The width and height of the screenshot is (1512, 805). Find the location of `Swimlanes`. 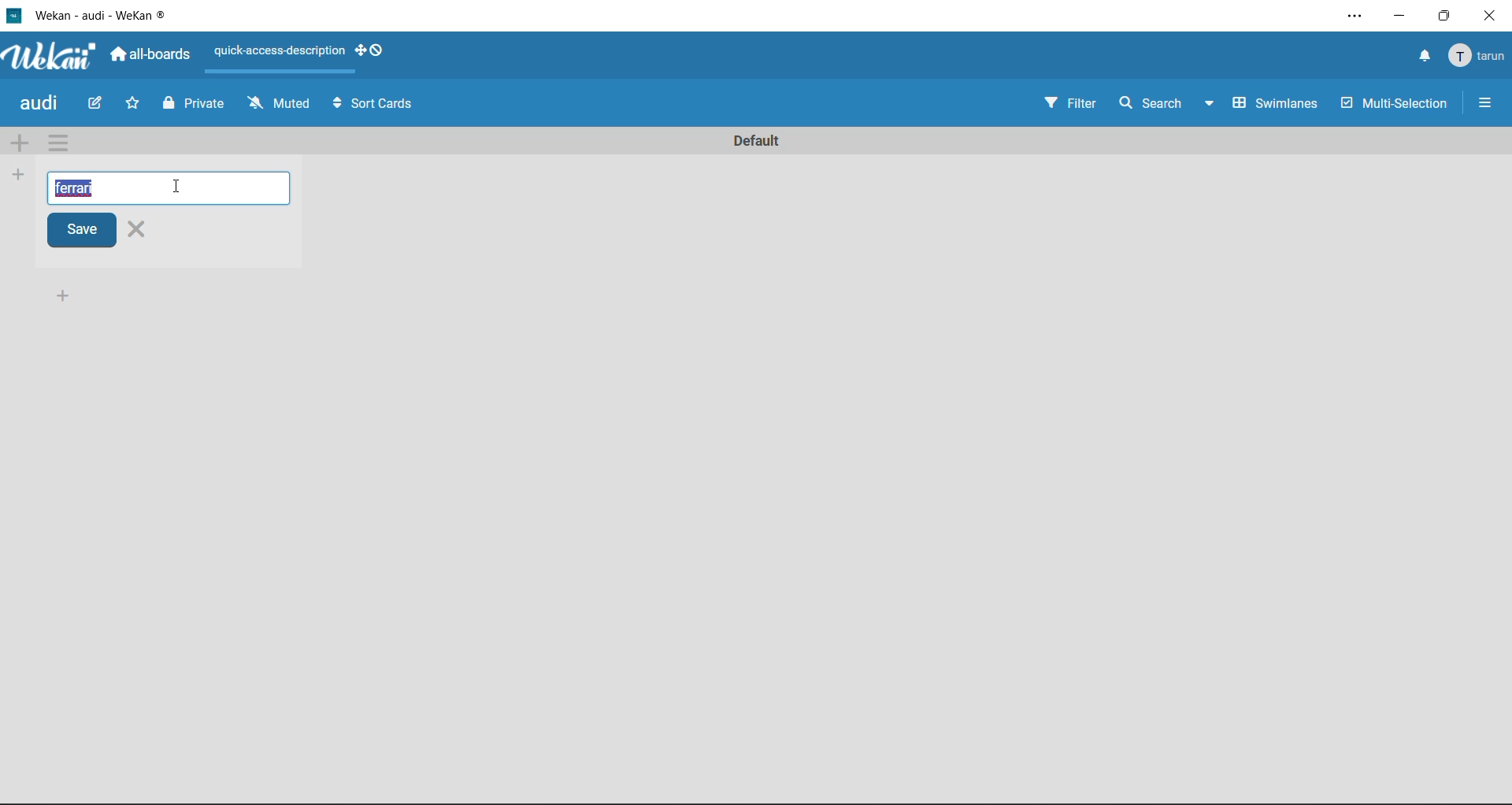

Swimlanes is located at coordinates (1277, 101).